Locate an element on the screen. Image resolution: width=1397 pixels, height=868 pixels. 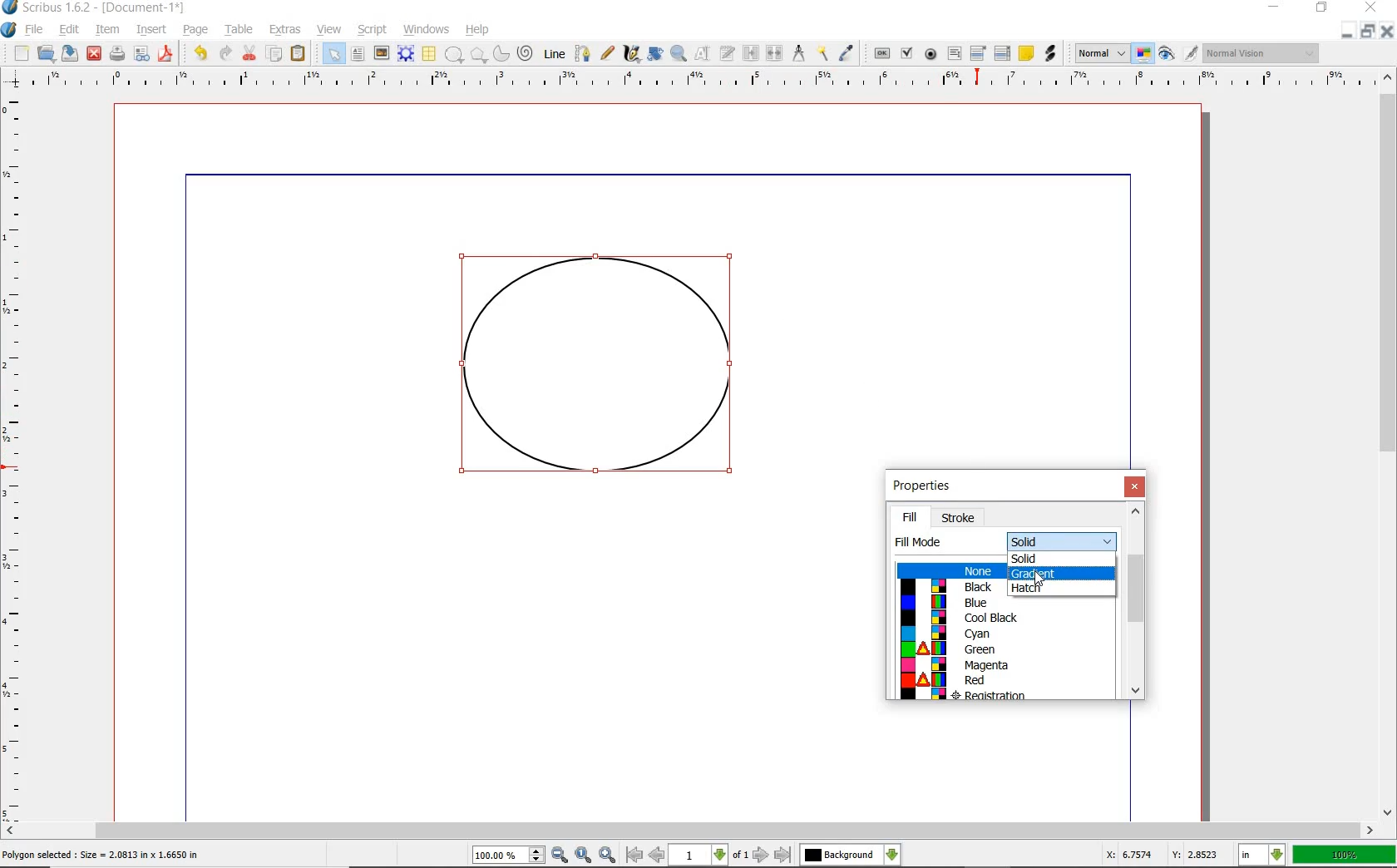
PDF CHECK BOX is located at coordinates (906, 52).